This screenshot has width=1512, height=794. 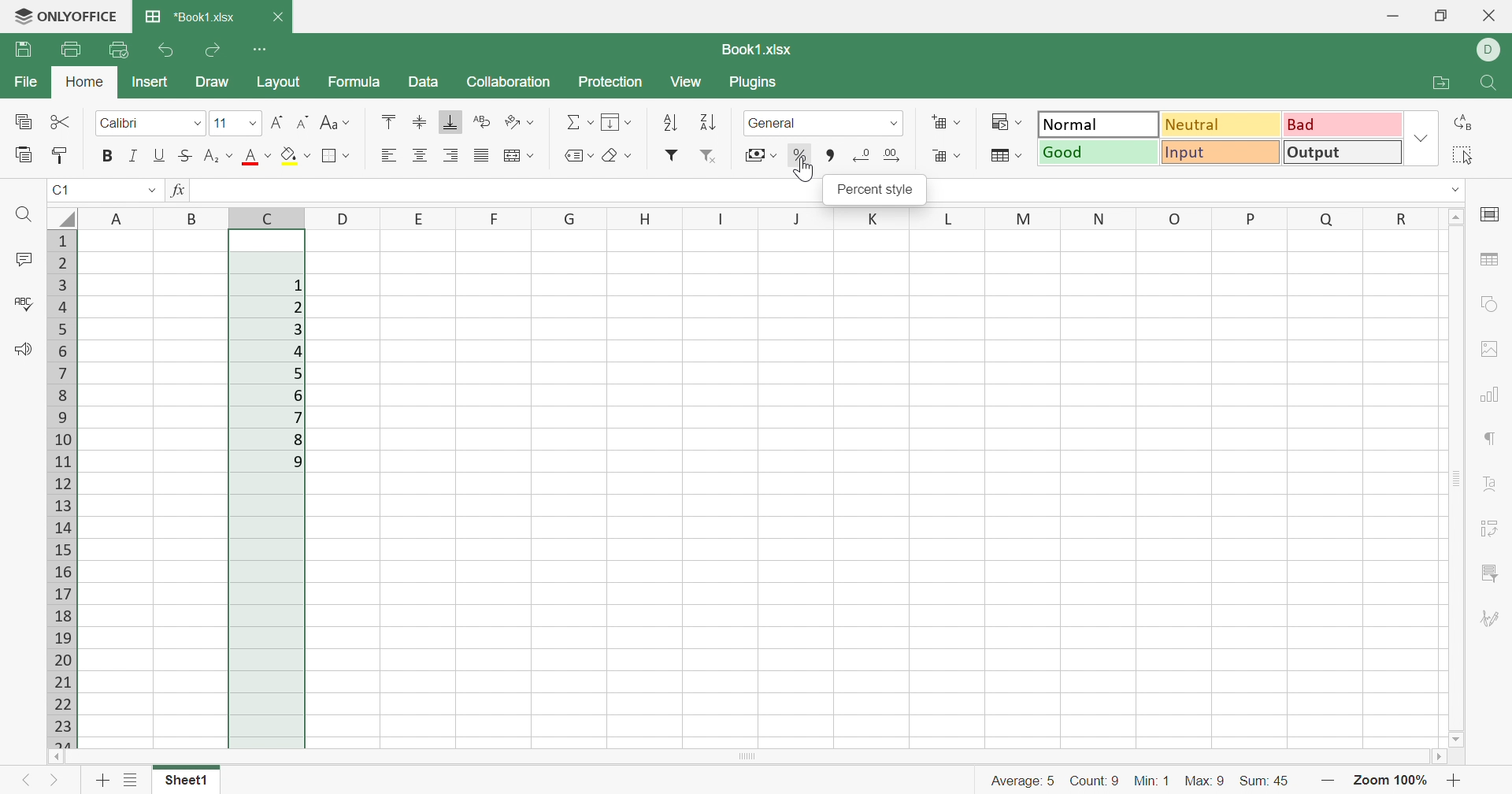 What do you see at coordinates (424, 82) in the screenshot?
I see `Data` at bounding box center [424, 82].